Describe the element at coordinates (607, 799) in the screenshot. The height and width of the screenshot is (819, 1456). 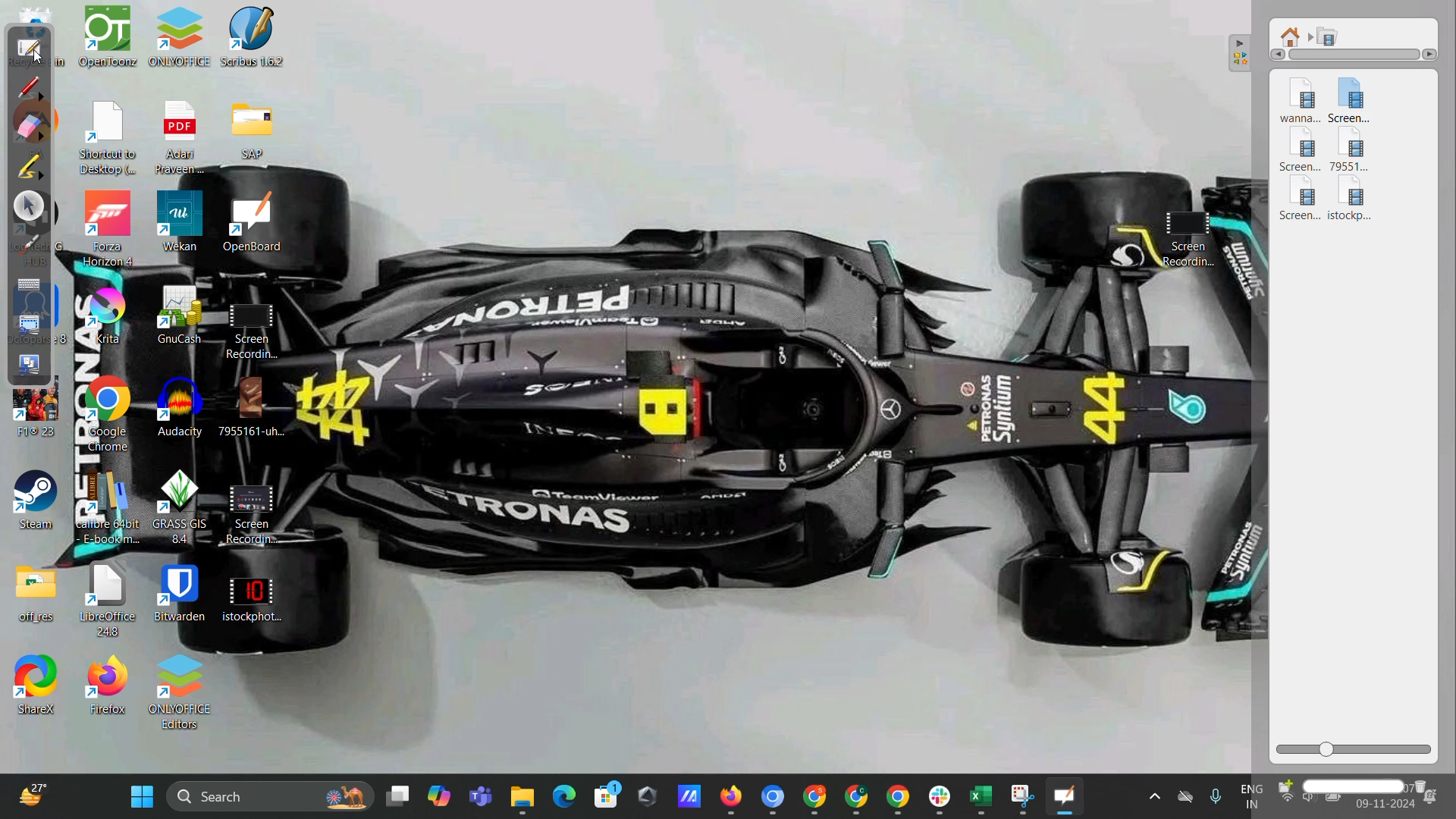
I see `microsoft store` at that location.